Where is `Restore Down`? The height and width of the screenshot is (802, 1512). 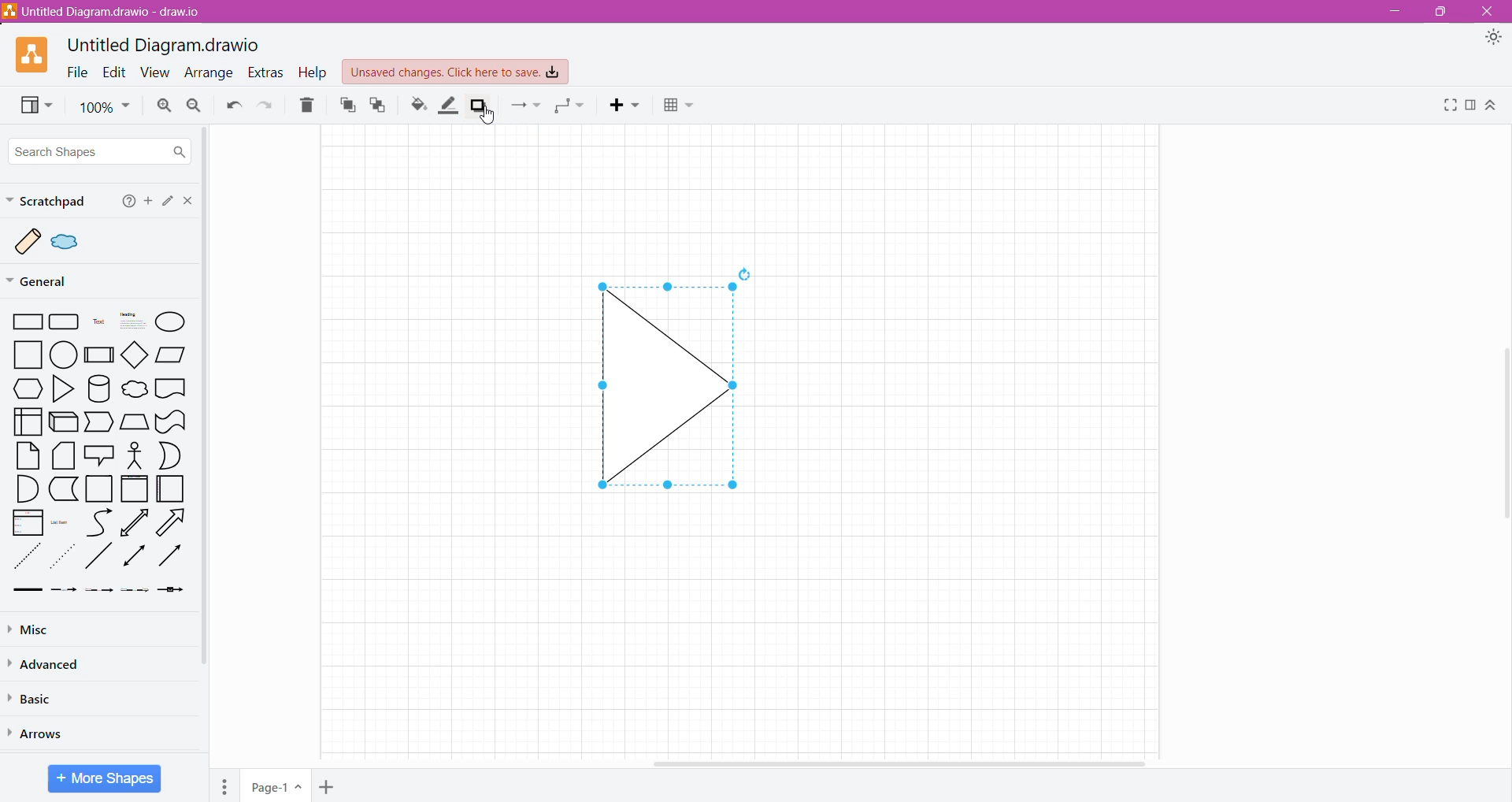 Restore Down is located at coordinates (1441, 12).